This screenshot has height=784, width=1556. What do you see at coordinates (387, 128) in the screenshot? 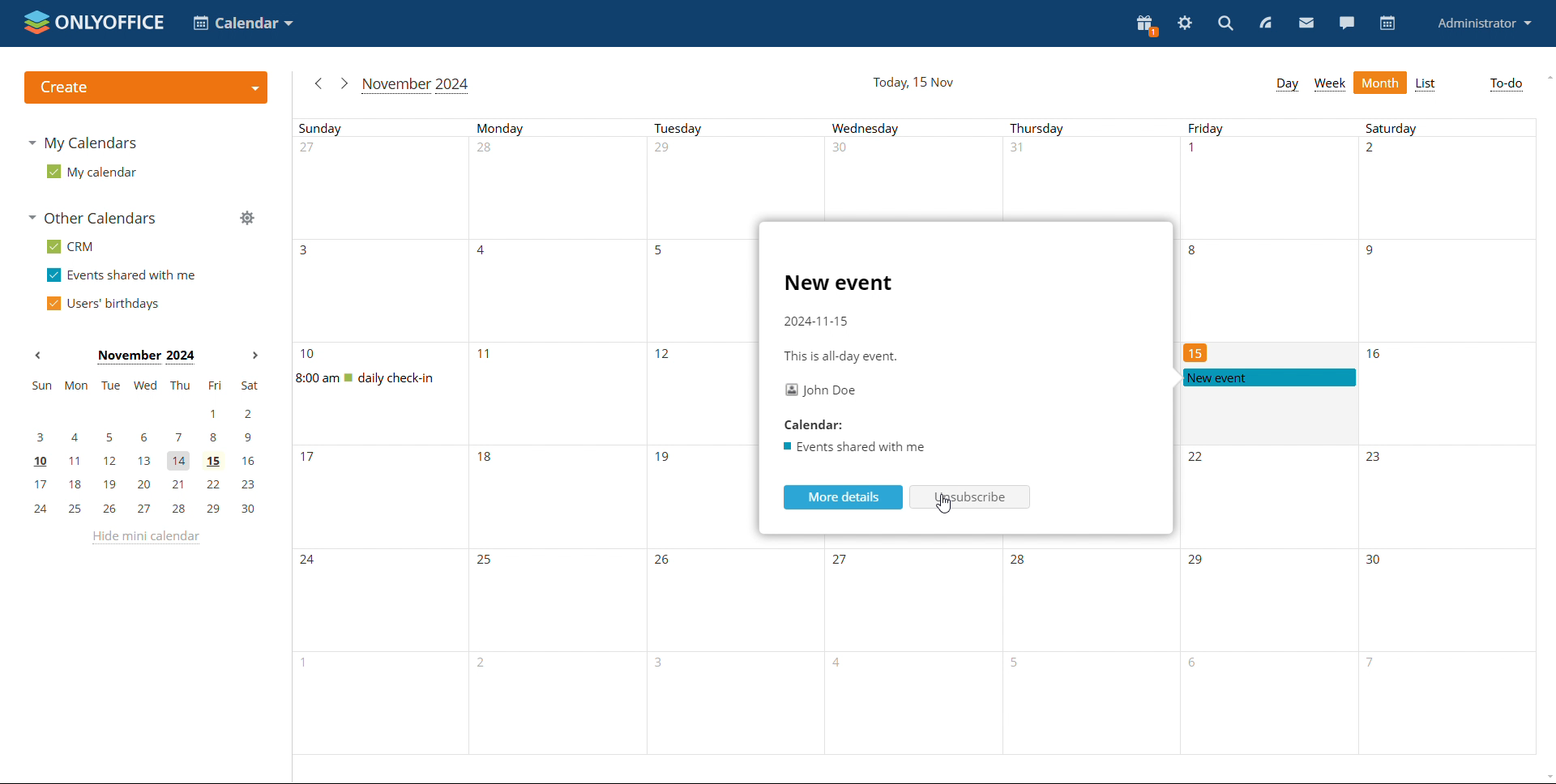
I see `individual day` at bounding box center [387, 128].